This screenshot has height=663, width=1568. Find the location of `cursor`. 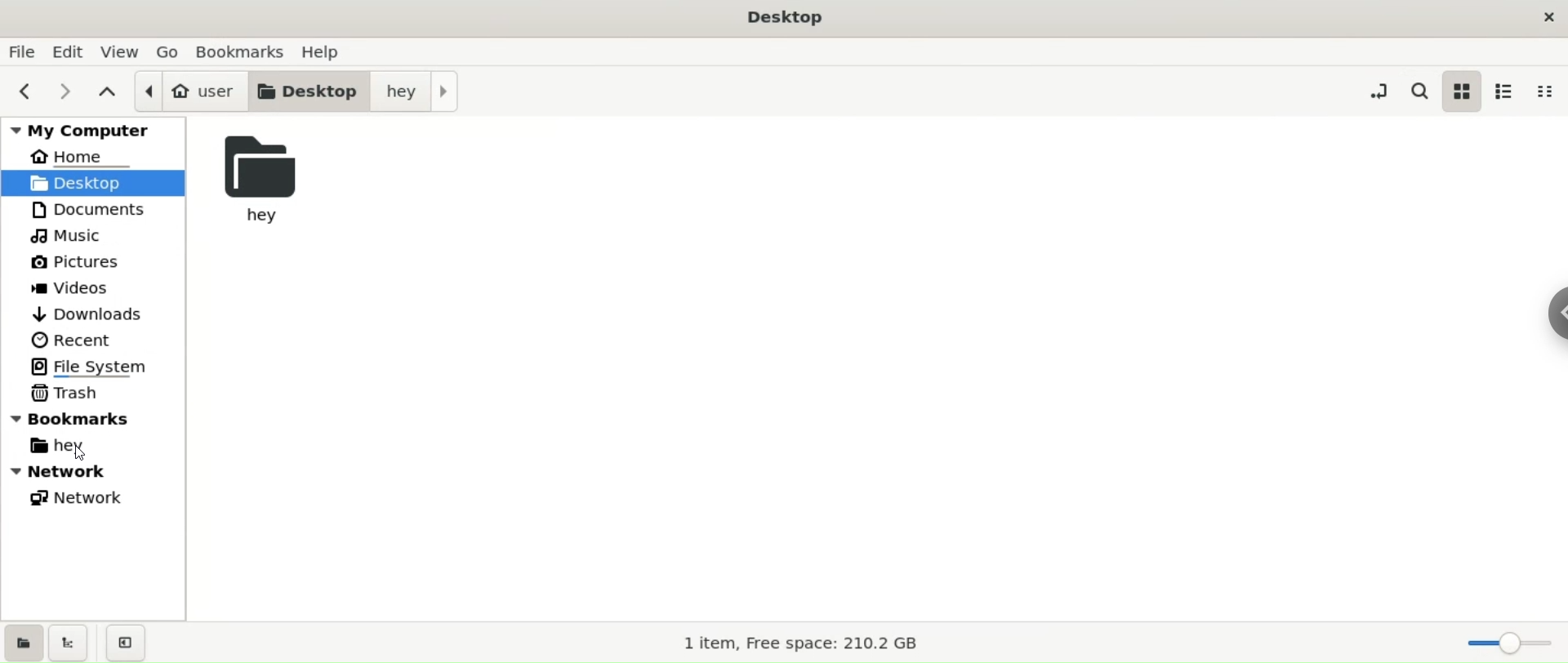

cursor is located at coordinates (77, 452).